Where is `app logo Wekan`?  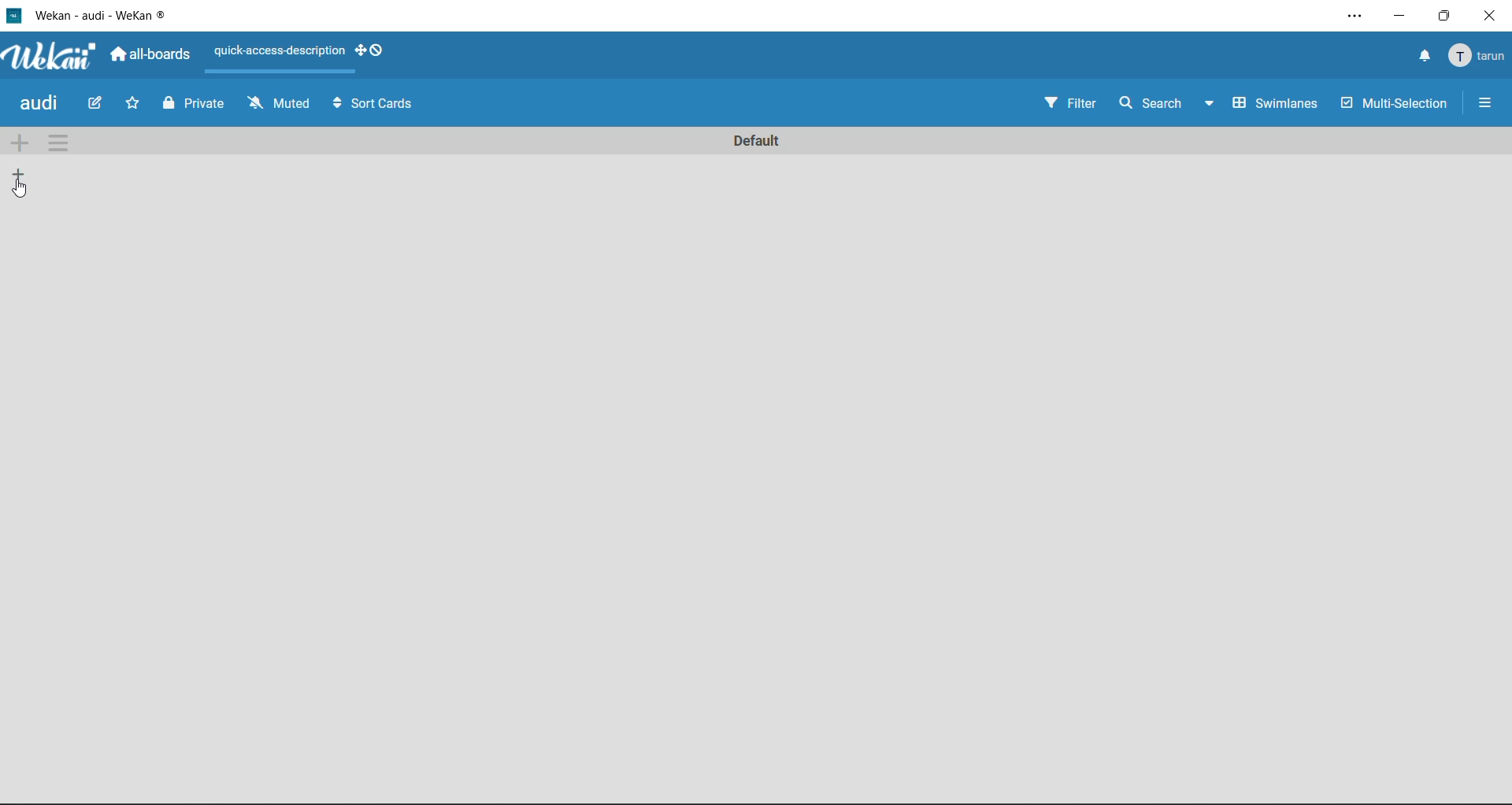
app logo Wekan is located at coordinates (47, 57).